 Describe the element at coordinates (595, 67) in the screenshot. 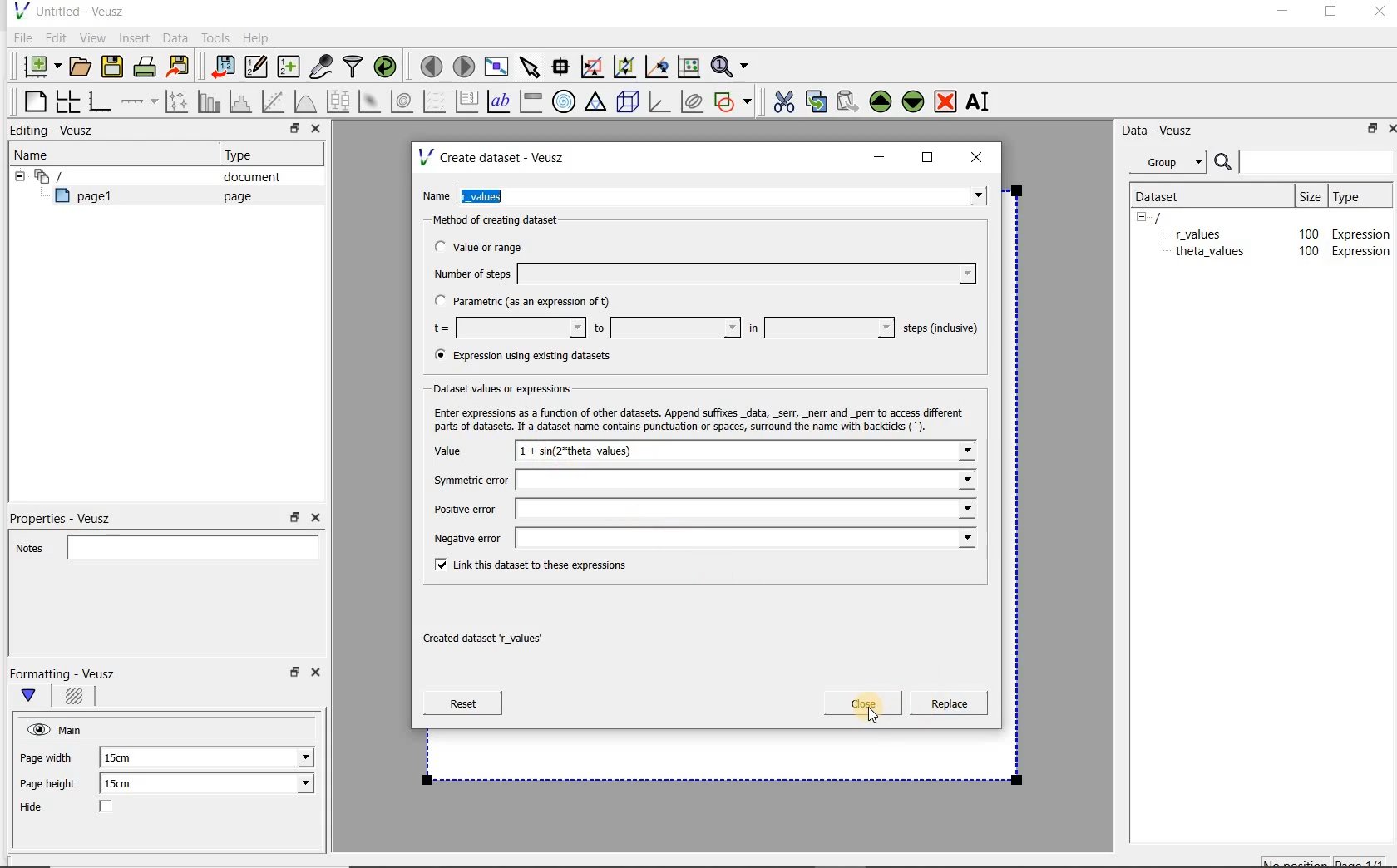

I see `click or draw a rectangle to zoom graph axes` at that location.